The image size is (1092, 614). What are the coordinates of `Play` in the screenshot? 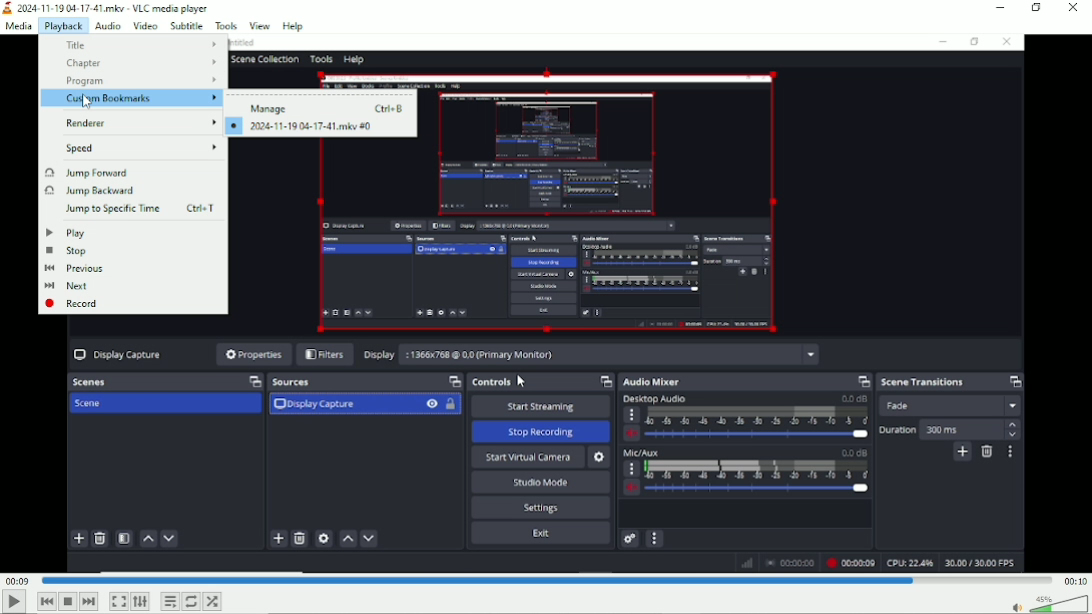 It's located at (14, 602).